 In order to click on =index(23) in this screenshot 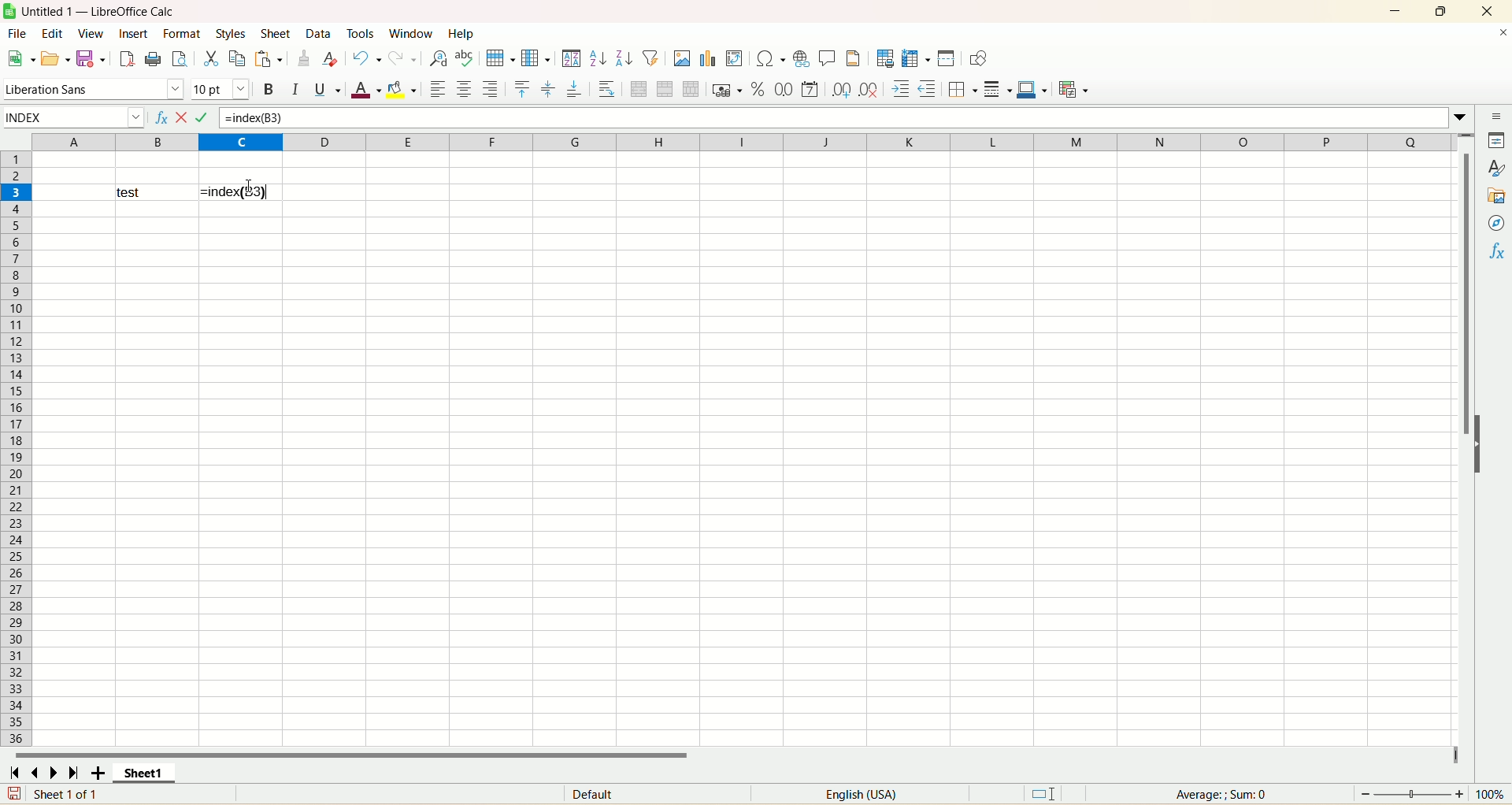, I will do `click(241, 192)`.